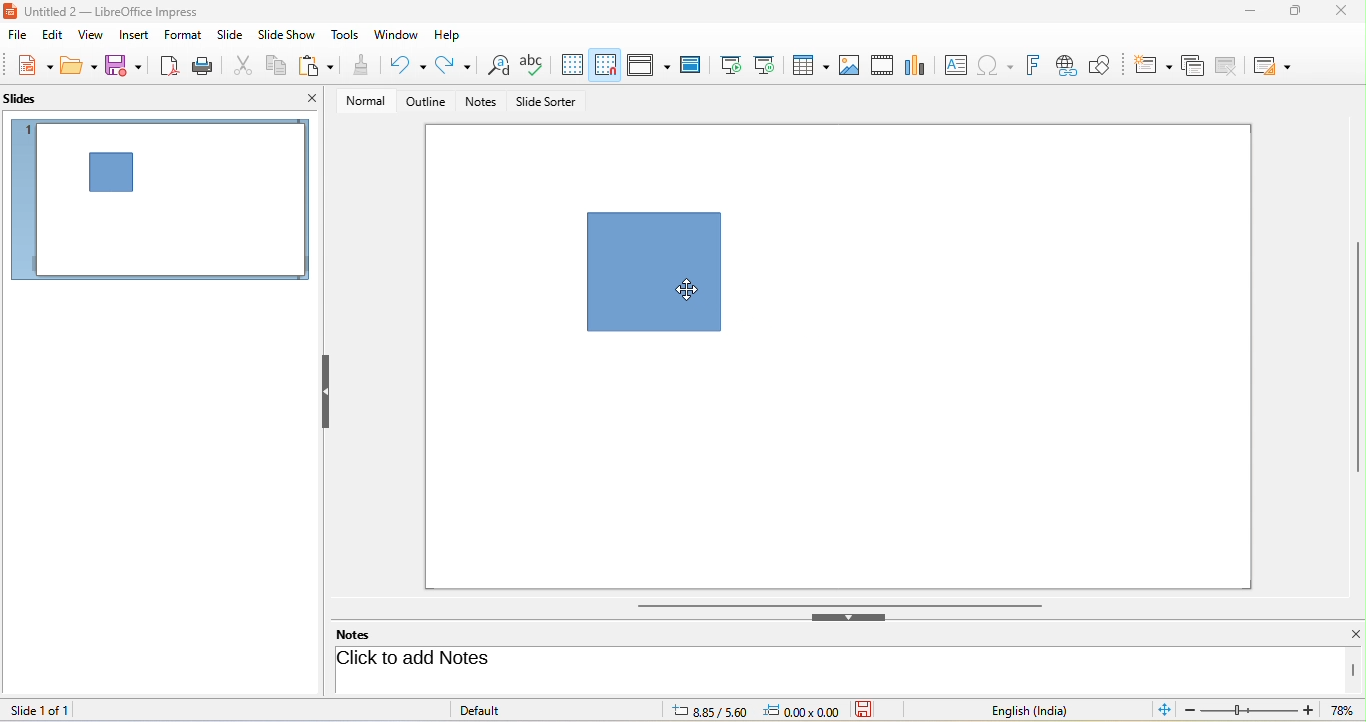 Image resolution: width=1366 pixels, height=722 pixels. What do you see at coordinates (999, 65) in the screenshot?
I see `special character` at bounding box center [999, 65].